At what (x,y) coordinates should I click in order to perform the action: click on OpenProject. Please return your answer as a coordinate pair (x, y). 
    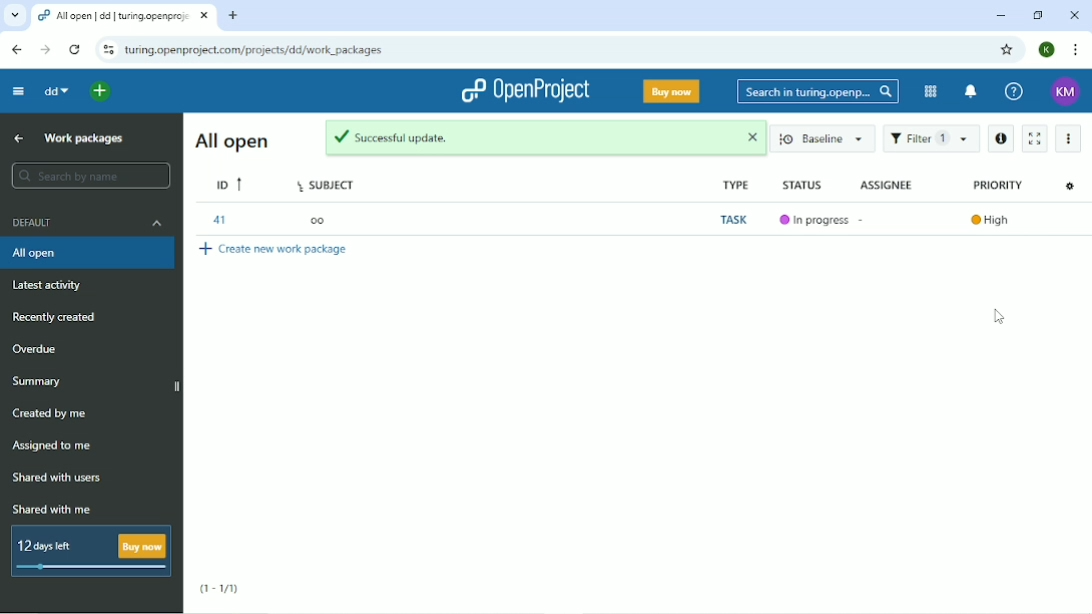
    Looking at the image, I should click on (525, 90).